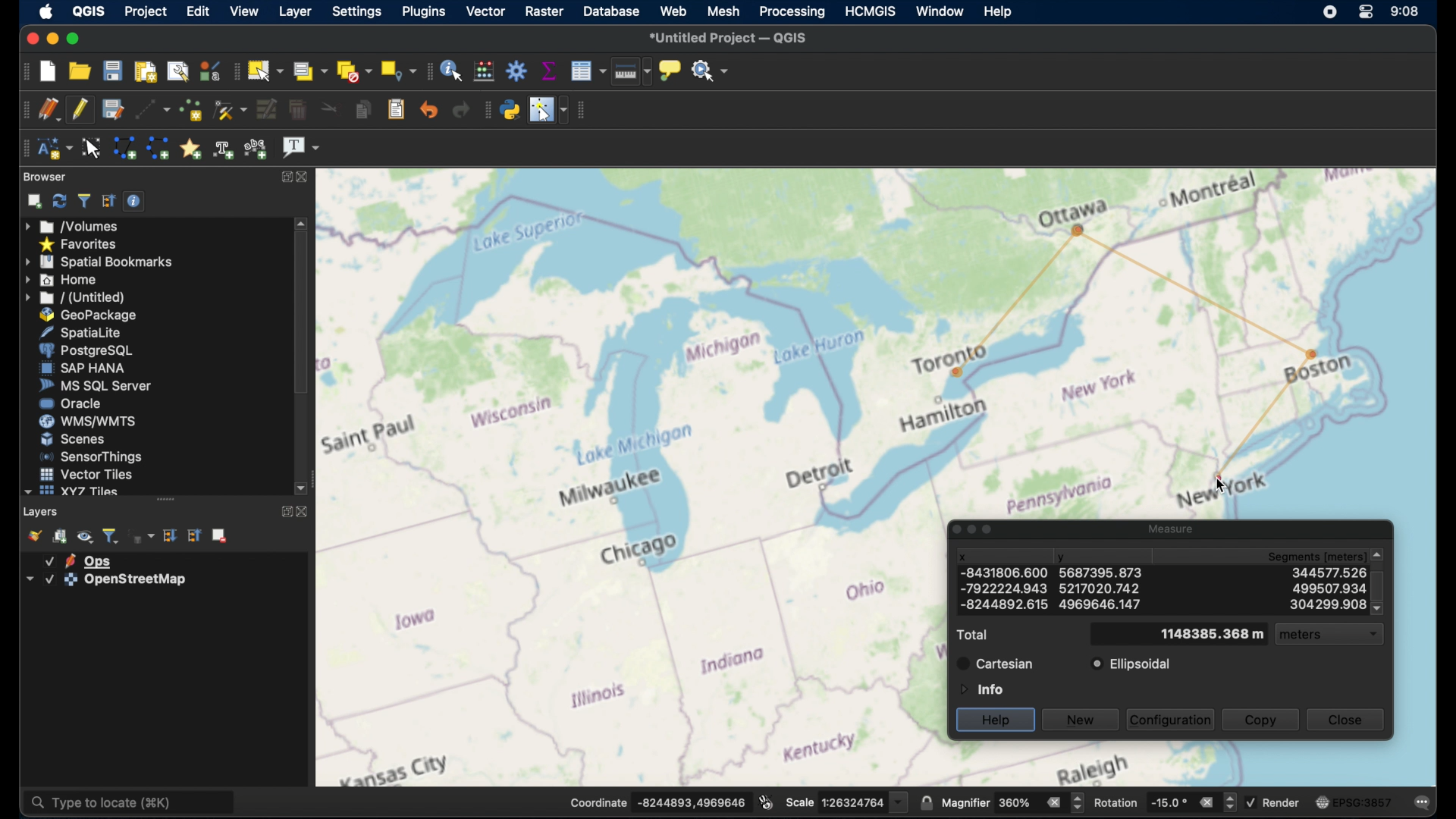 Image resolution: width=1456 pixels, height=819 pixels. I want to click on untitles project QGIS, so click(731, 39).